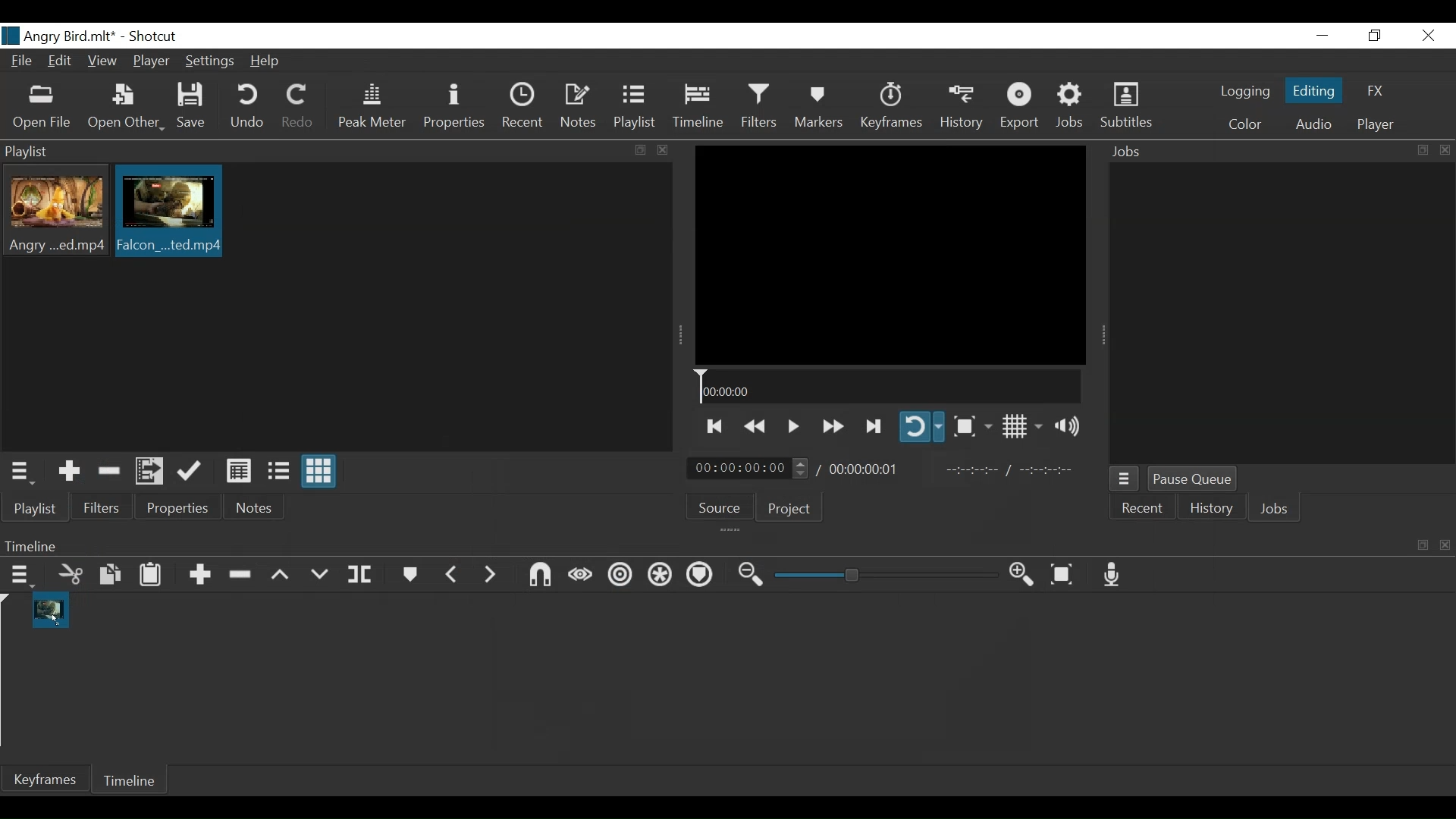  Describe the element at coordinates (1280, 314) in the screenshot. I see `Jobs Panel` at that location.